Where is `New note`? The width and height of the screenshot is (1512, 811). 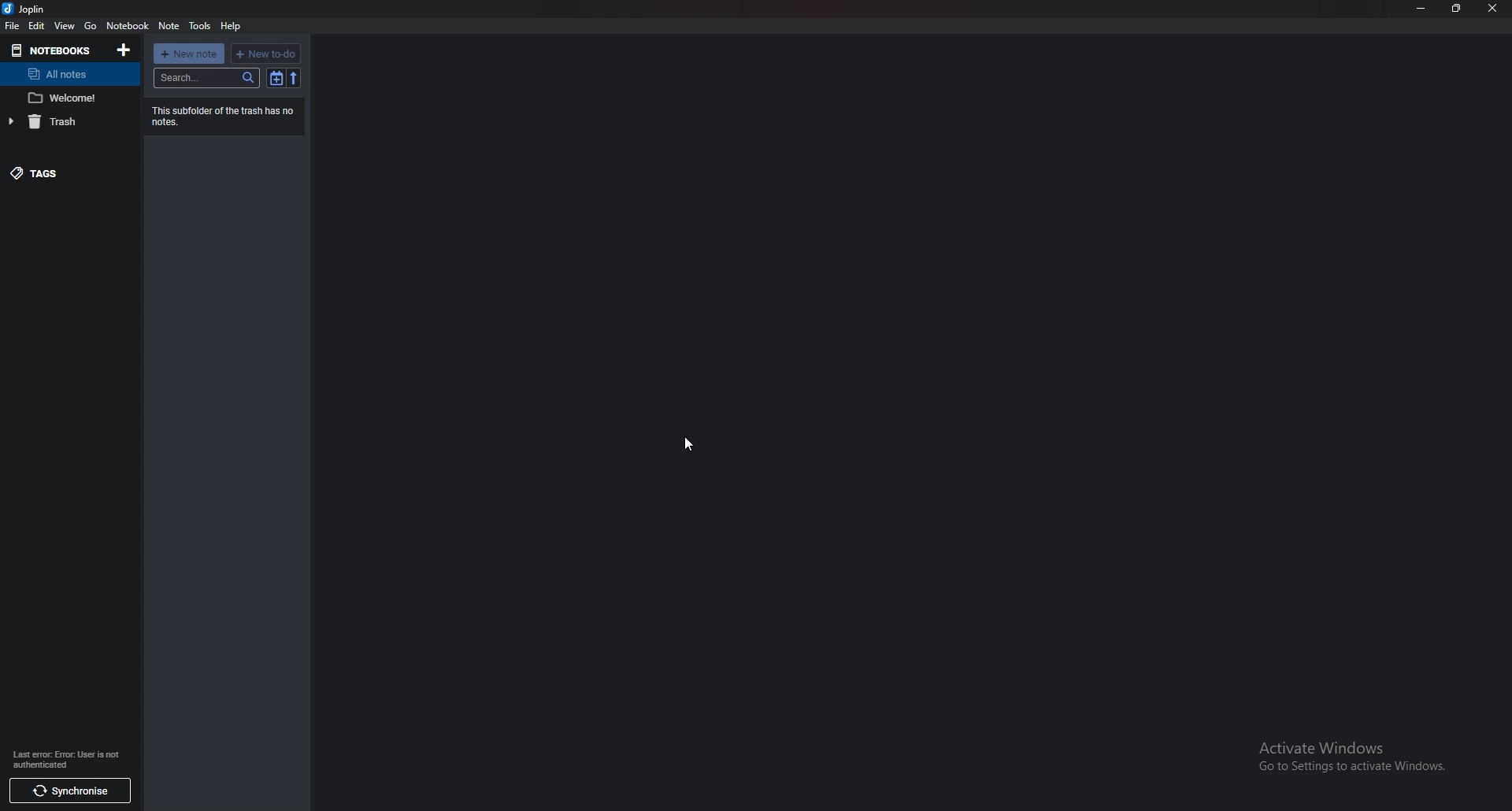
New note is located at coordinates (188, 53).